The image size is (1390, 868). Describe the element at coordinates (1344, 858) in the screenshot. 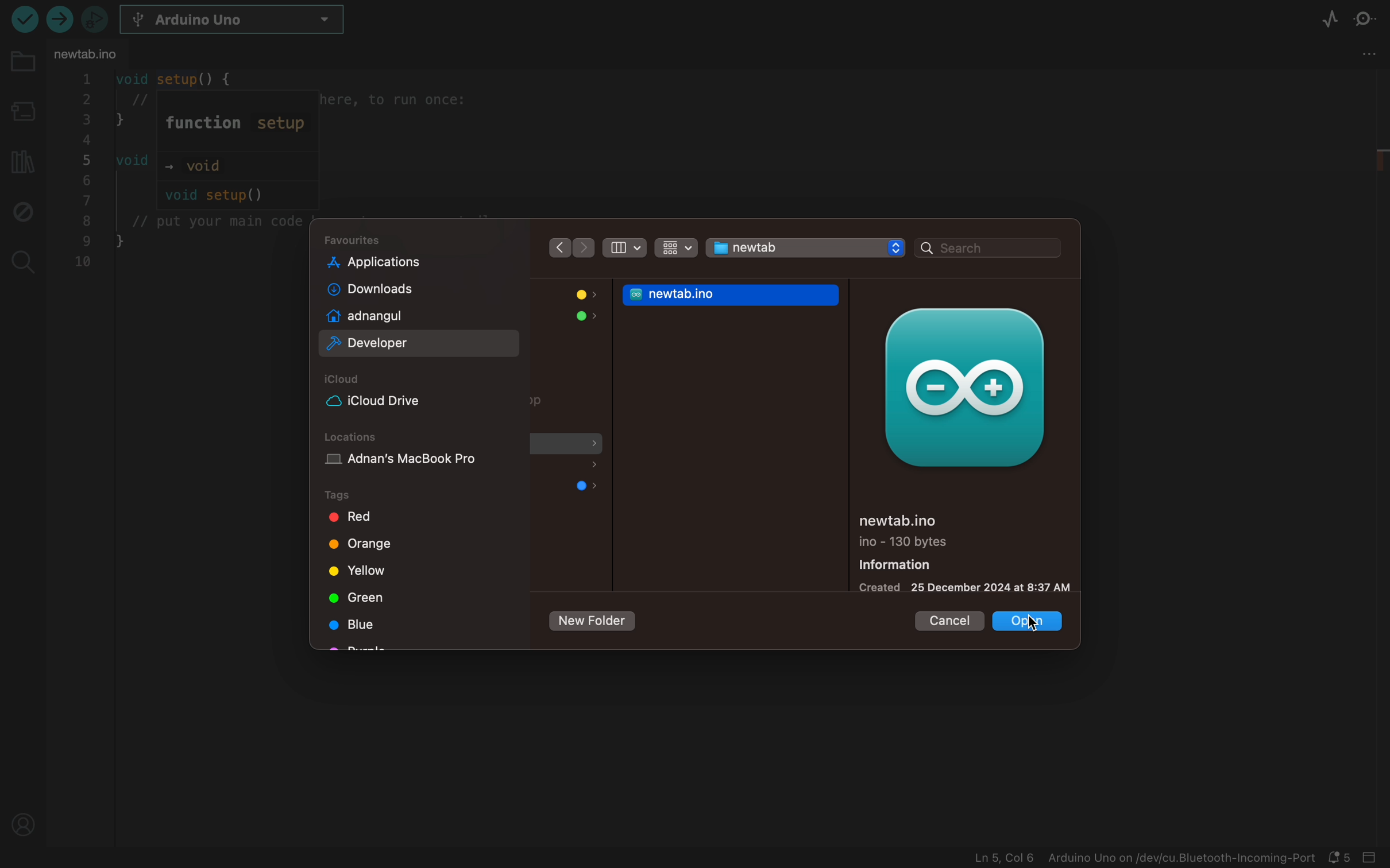

I see `notification` at that location.